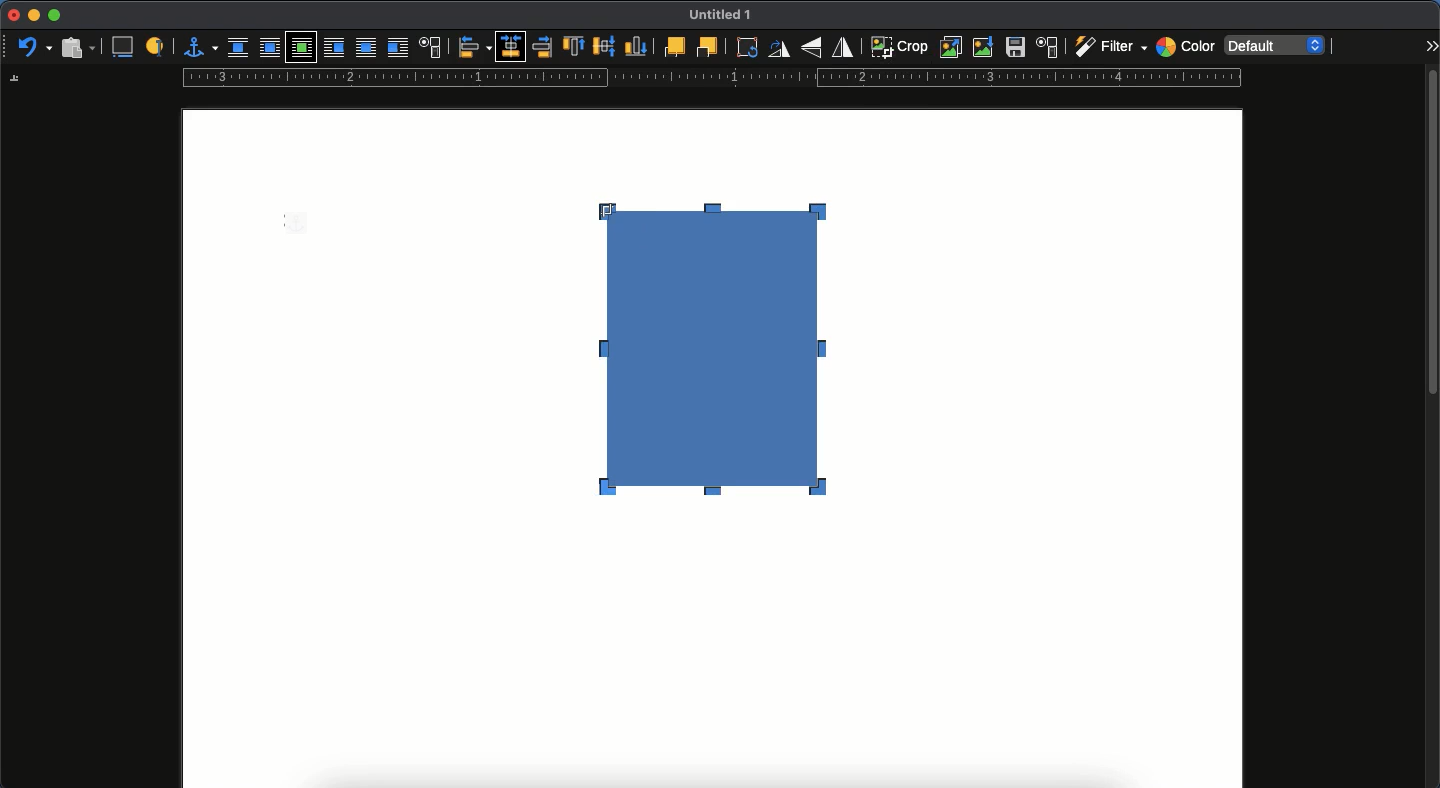 The width and height of the screenshot is (1440, 788). I want to click on click, so click(631, 216).